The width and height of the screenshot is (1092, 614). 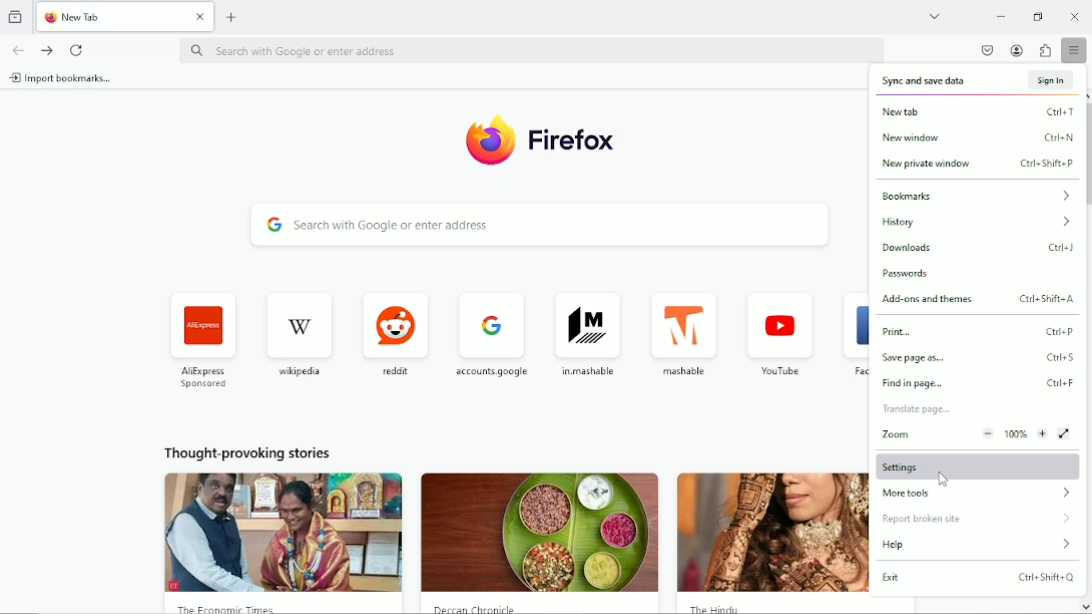 What do you see at coordinates (923, 410) in the screenshot?
I see `translate page` at bounding box center [923, 410].